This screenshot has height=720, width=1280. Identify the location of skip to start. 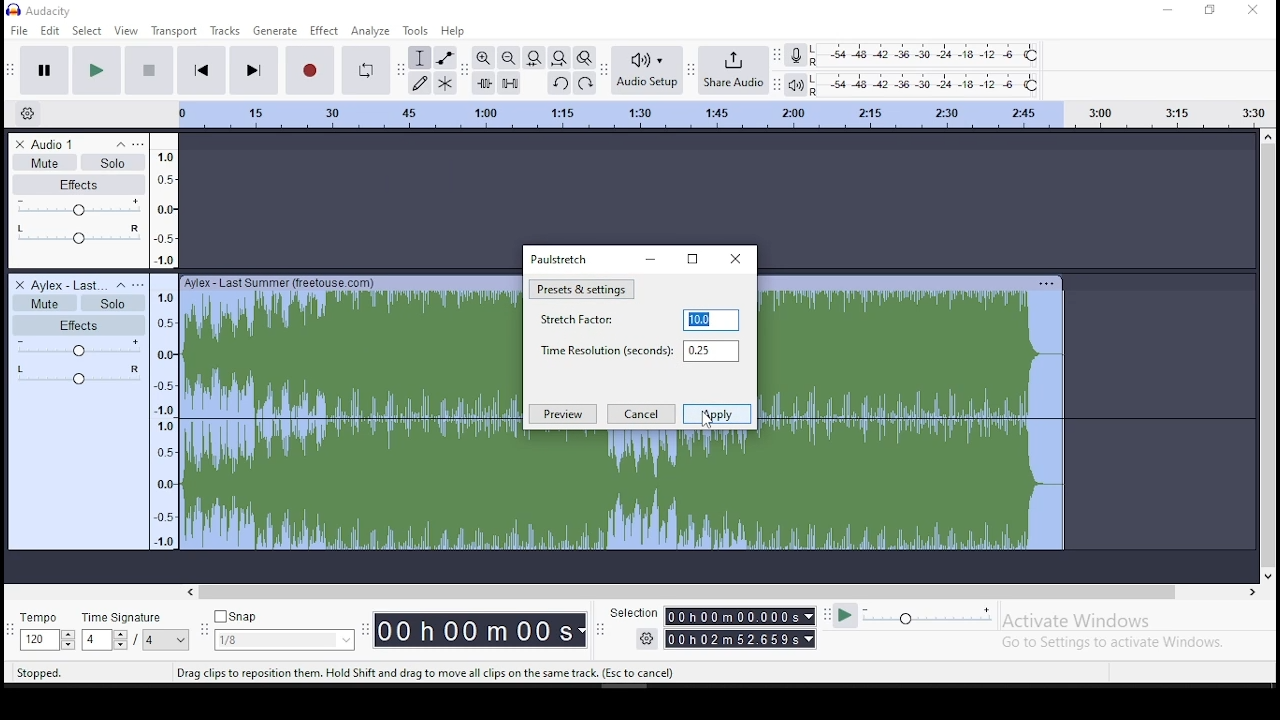
(203, 70).